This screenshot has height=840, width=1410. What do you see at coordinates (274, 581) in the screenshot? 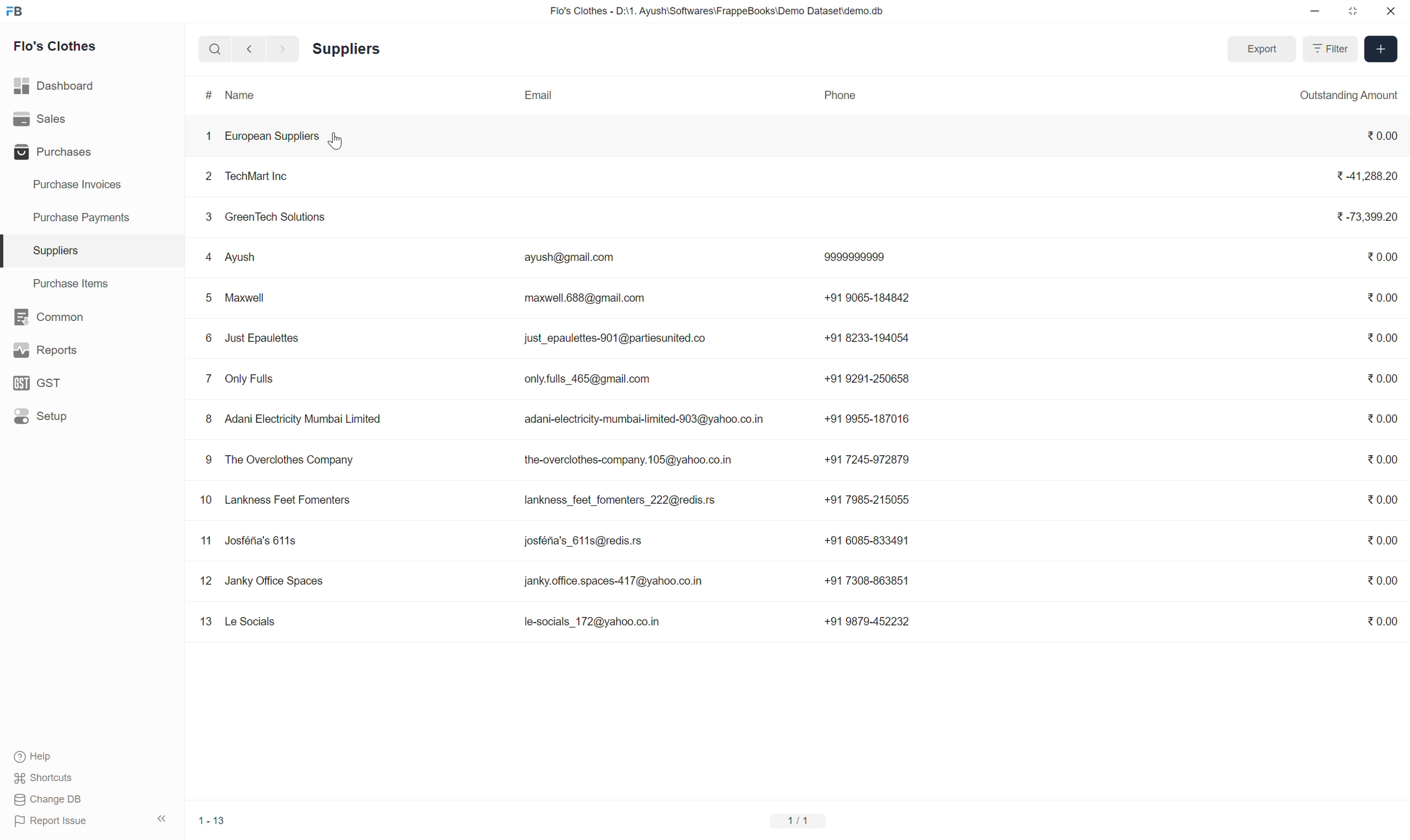
I see `Janky Office Spaces` at bounding box center [274, 581].